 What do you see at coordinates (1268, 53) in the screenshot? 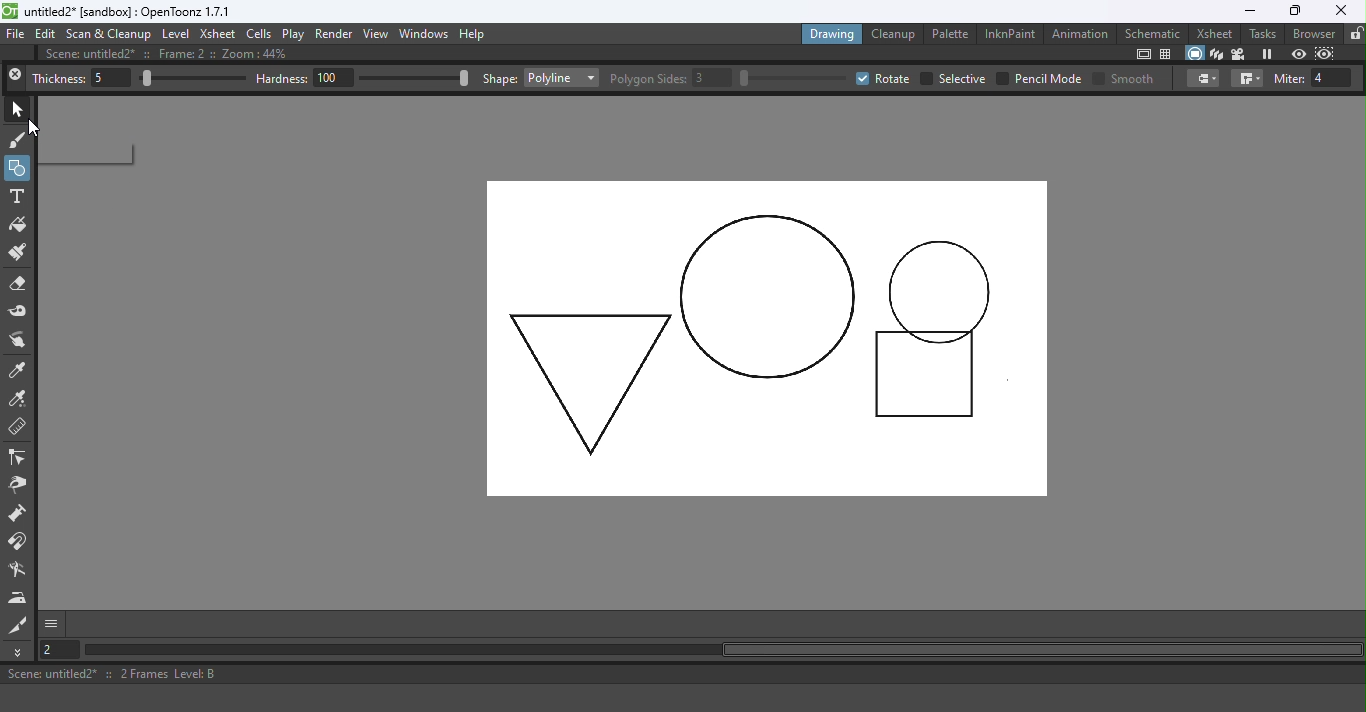
I see `Freeze` at bounding box center [1268, 53].